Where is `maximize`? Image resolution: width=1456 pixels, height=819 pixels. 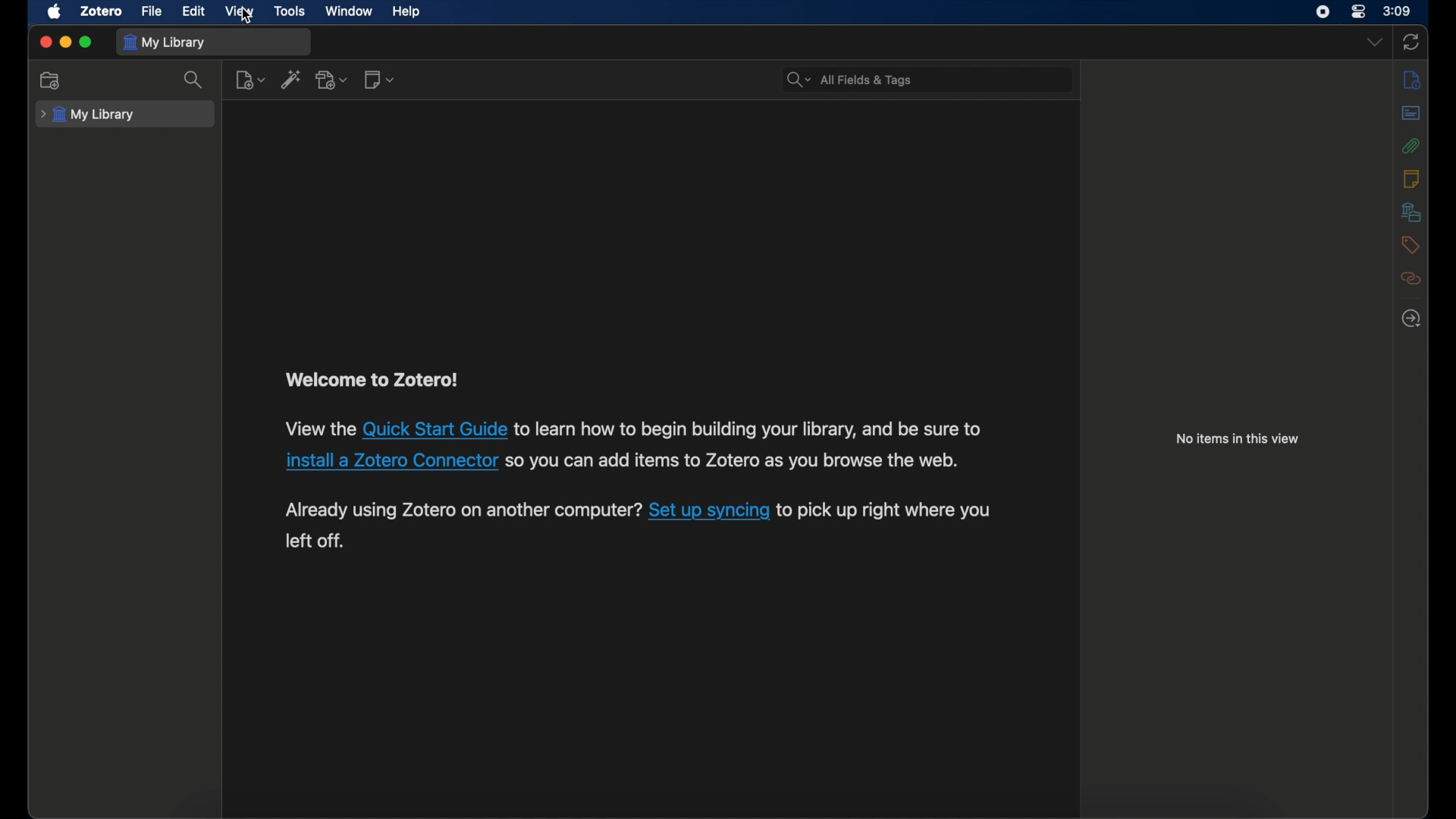 maximize is located at coordinates (86, 42).